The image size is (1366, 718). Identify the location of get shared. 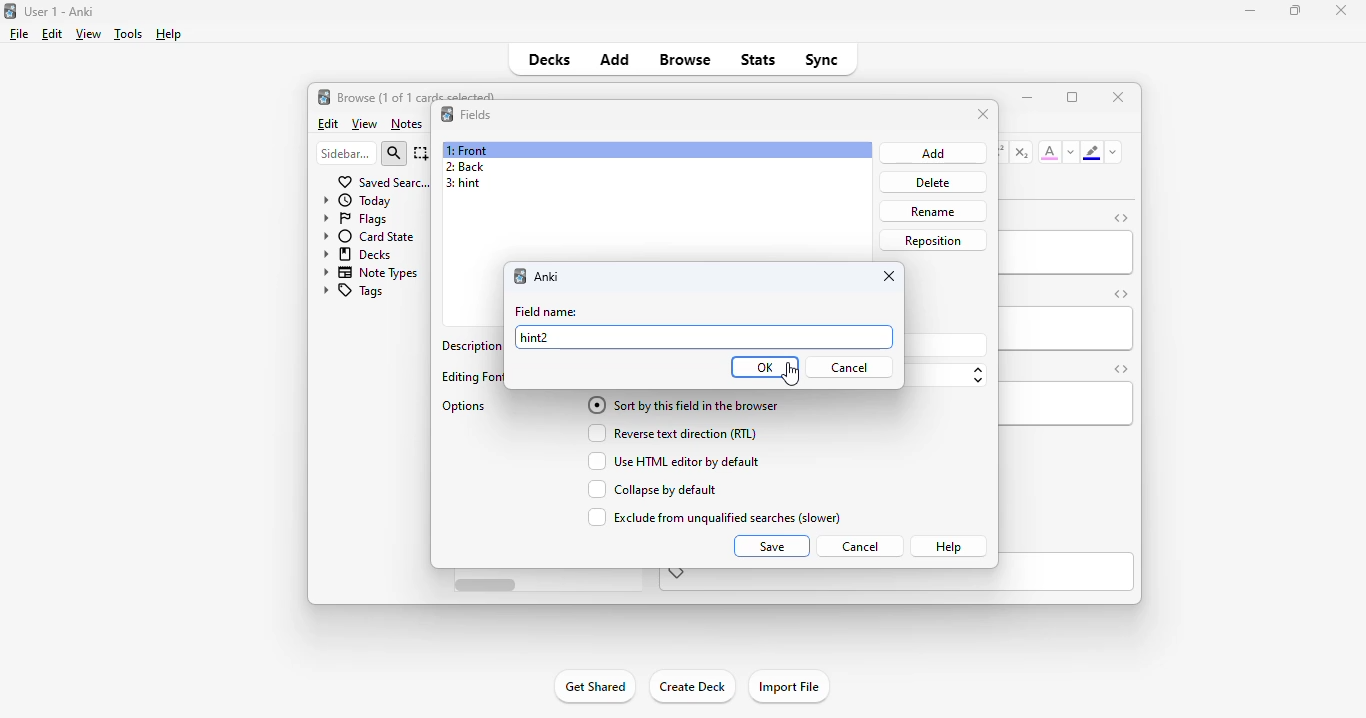
(594, 686).